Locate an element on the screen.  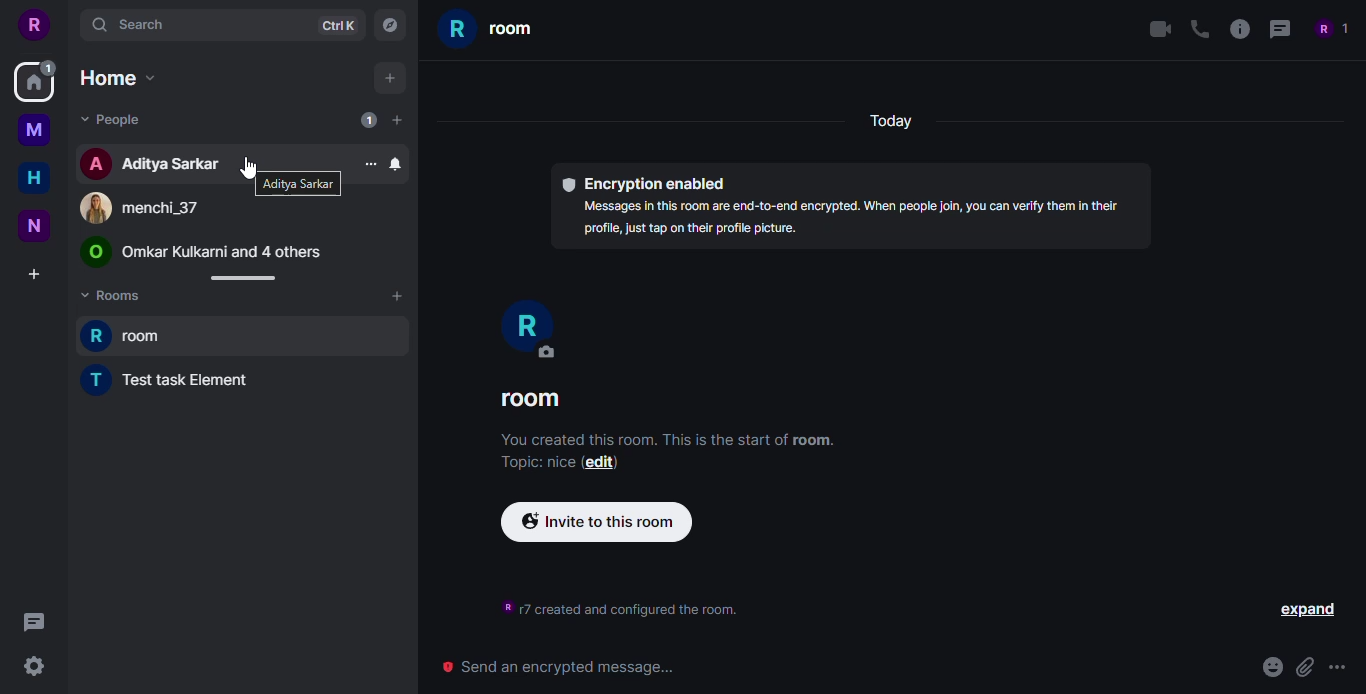
more options is located at coordinates (1340, 670).